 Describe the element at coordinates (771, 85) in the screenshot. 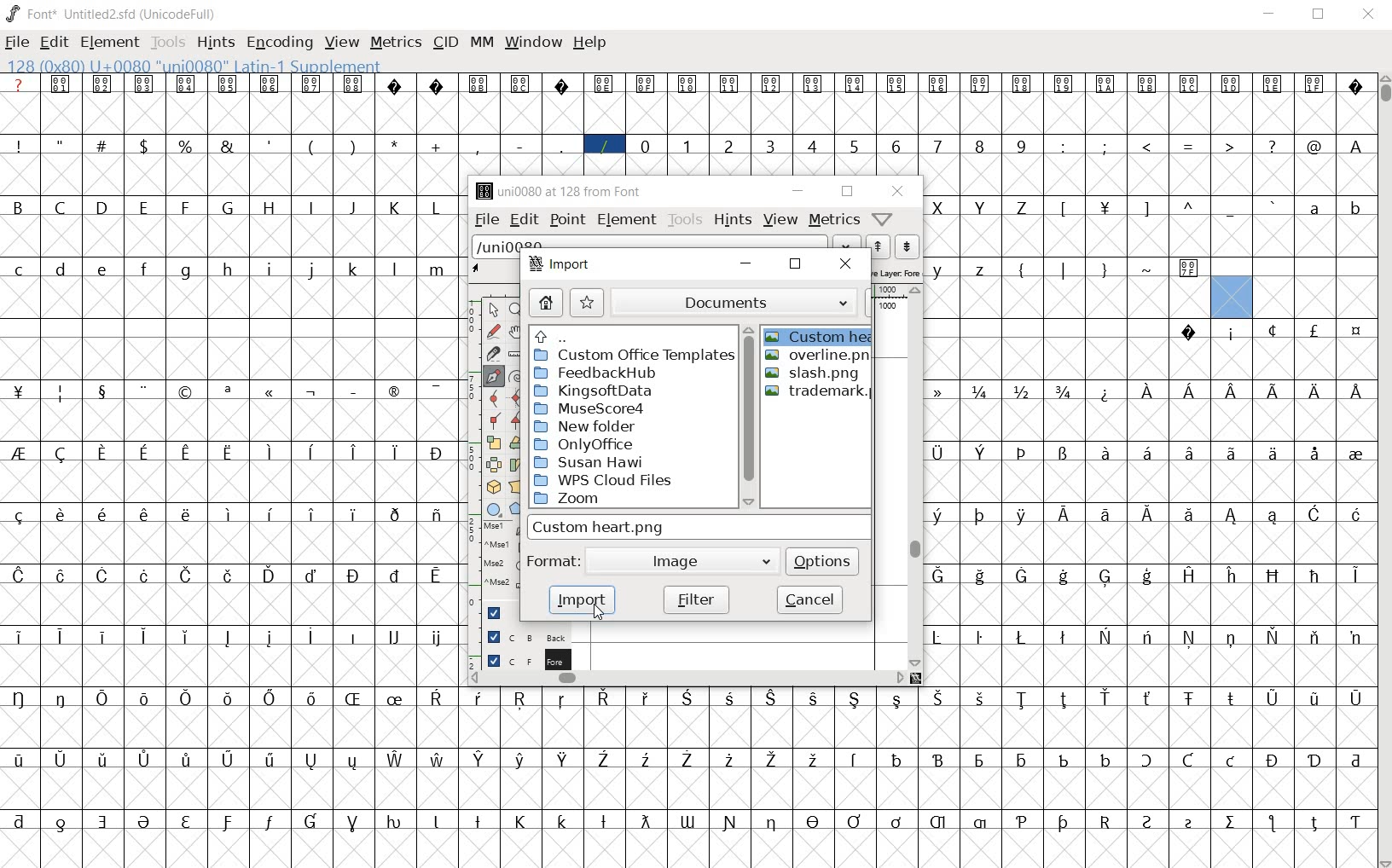

I see `glyph` at that location.